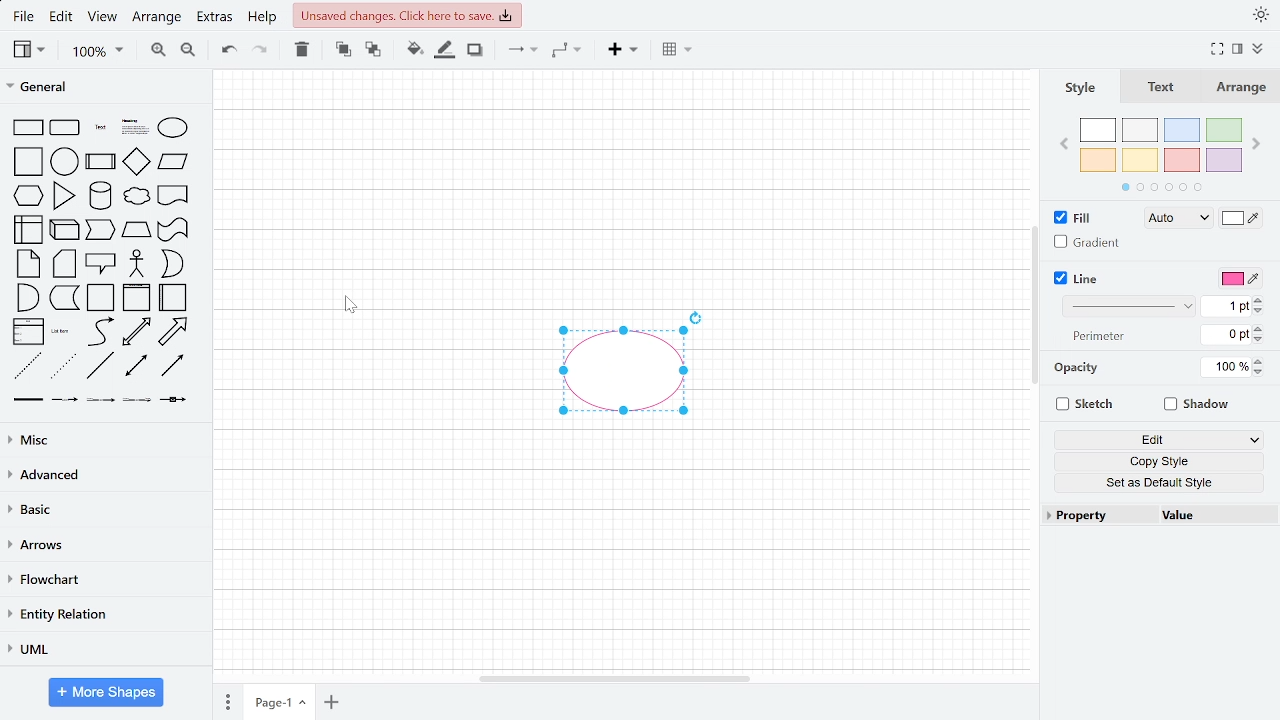  I want to click on UML, so click(102, 649).